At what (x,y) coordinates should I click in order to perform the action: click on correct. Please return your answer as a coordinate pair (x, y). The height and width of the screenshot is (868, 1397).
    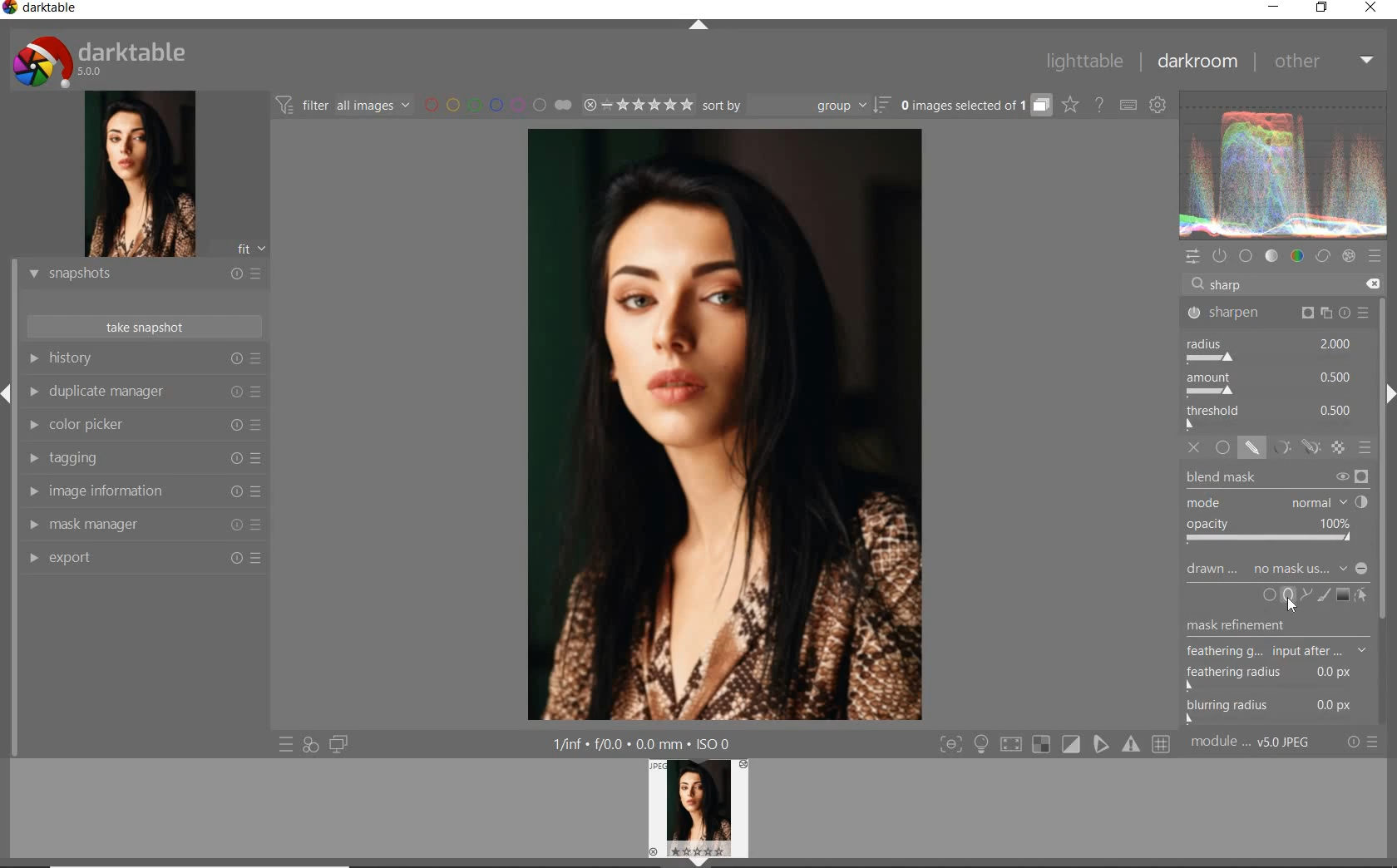
    Looking at the image, I should click on (1323, 257).